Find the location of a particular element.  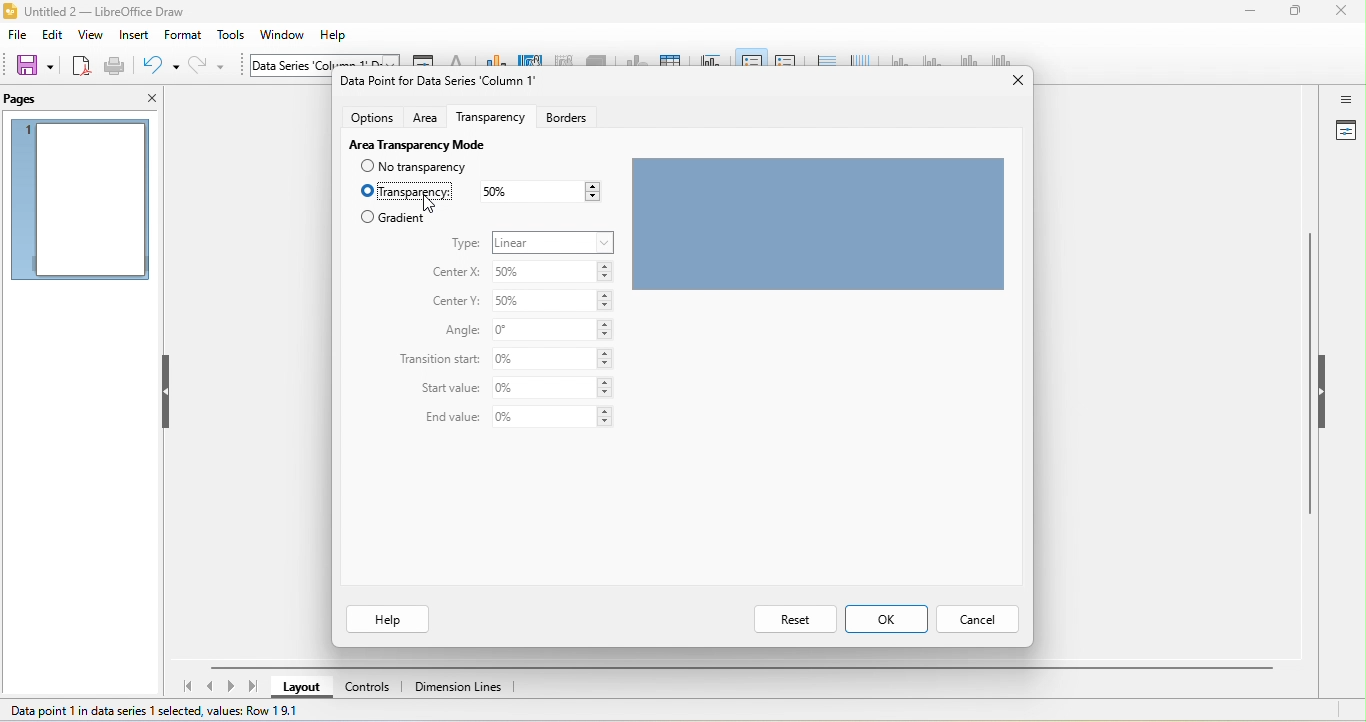

character is located at coordinates (457, 60).